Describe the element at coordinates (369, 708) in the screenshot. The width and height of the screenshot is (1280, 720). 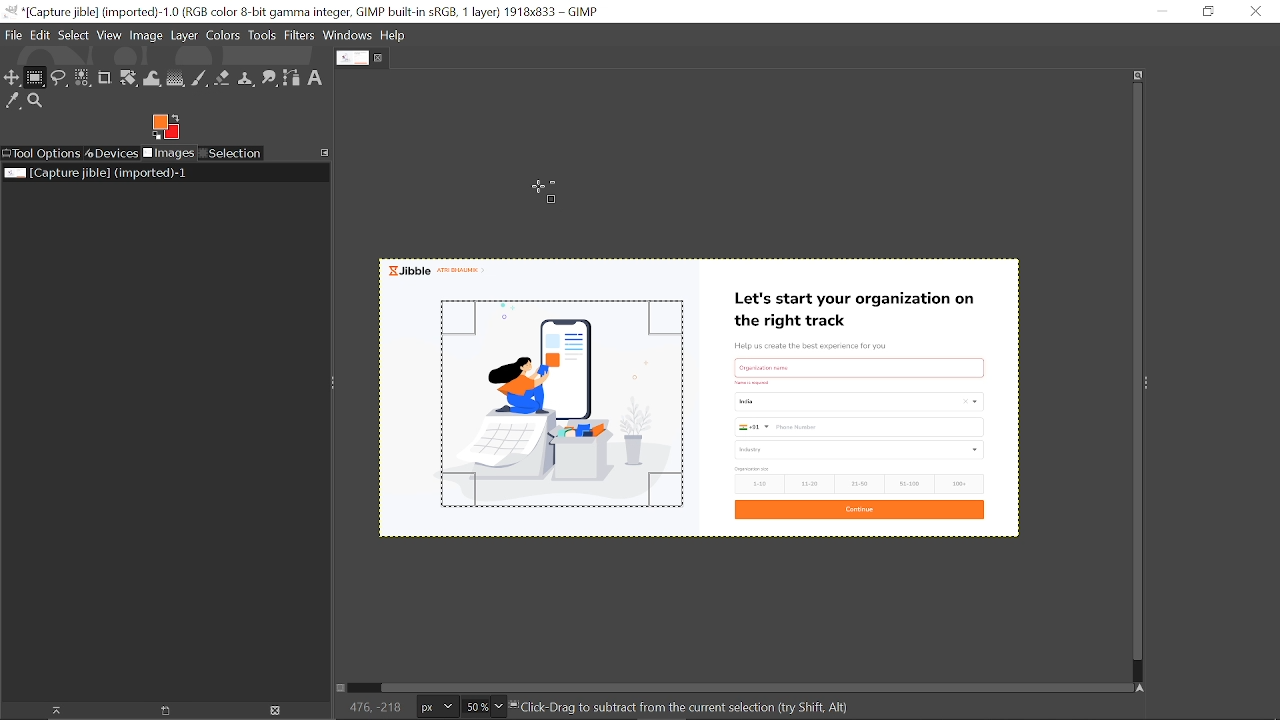
I see `186, 126` at that location.